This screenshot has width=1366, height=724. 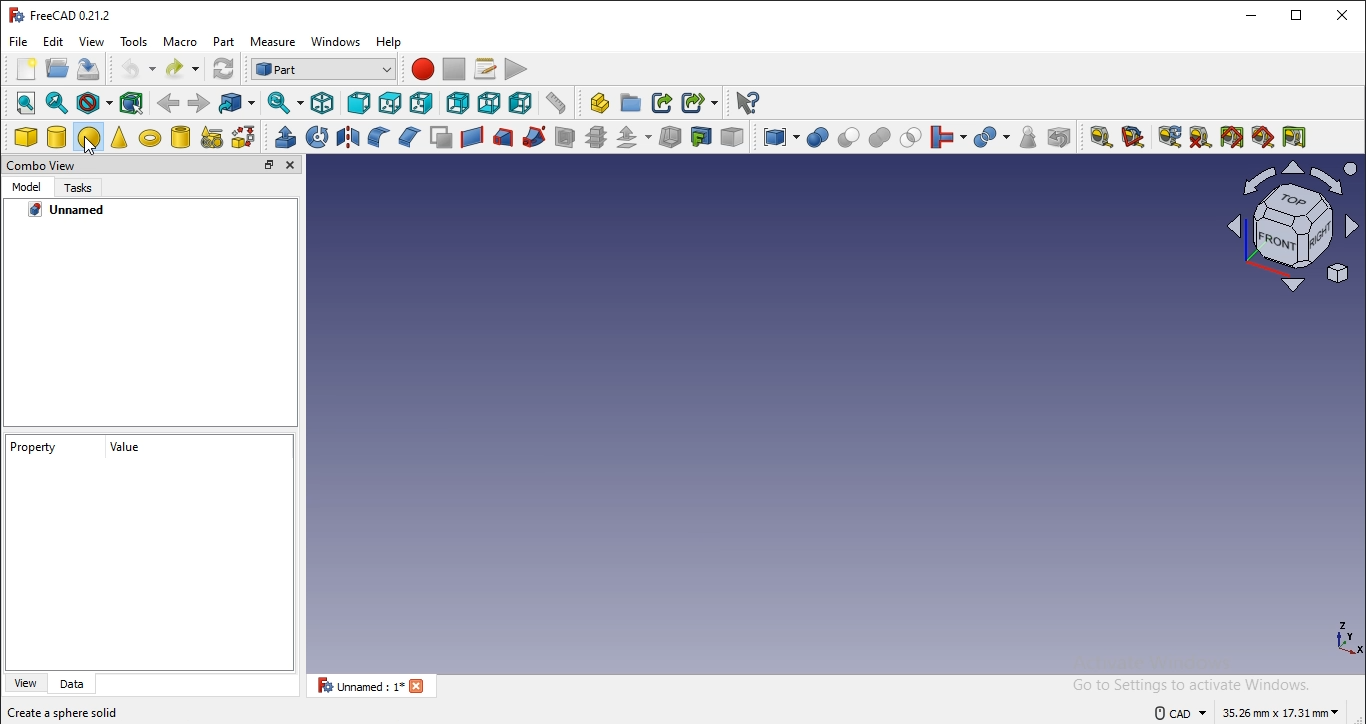 I want to click on backward, so click(x=167, y=101).